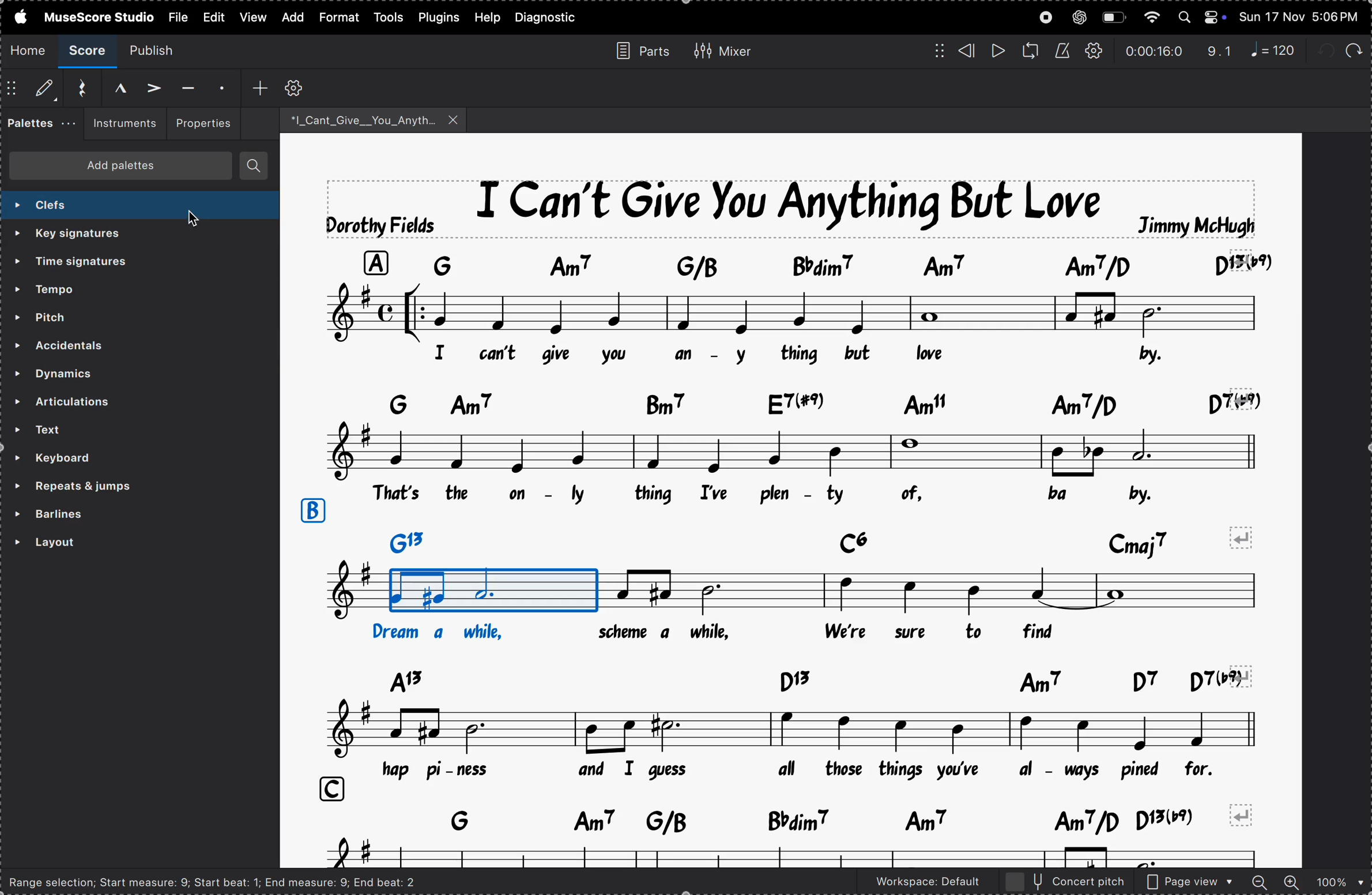  Describe the element at coordinates (1190, 882) in the screenshot. I see `page view` at that location.